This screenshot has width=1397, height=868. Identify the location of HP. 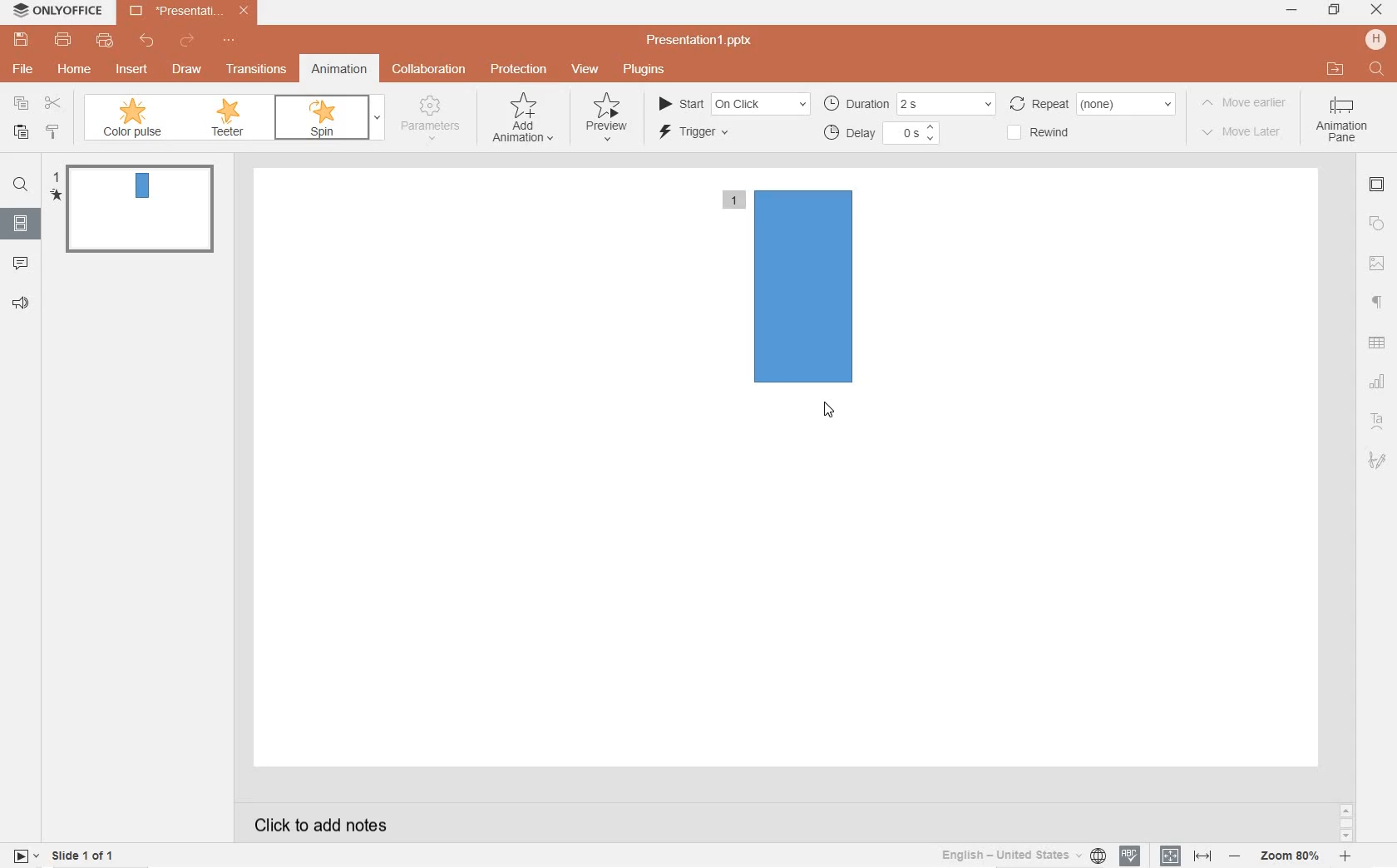
(1375, 39).